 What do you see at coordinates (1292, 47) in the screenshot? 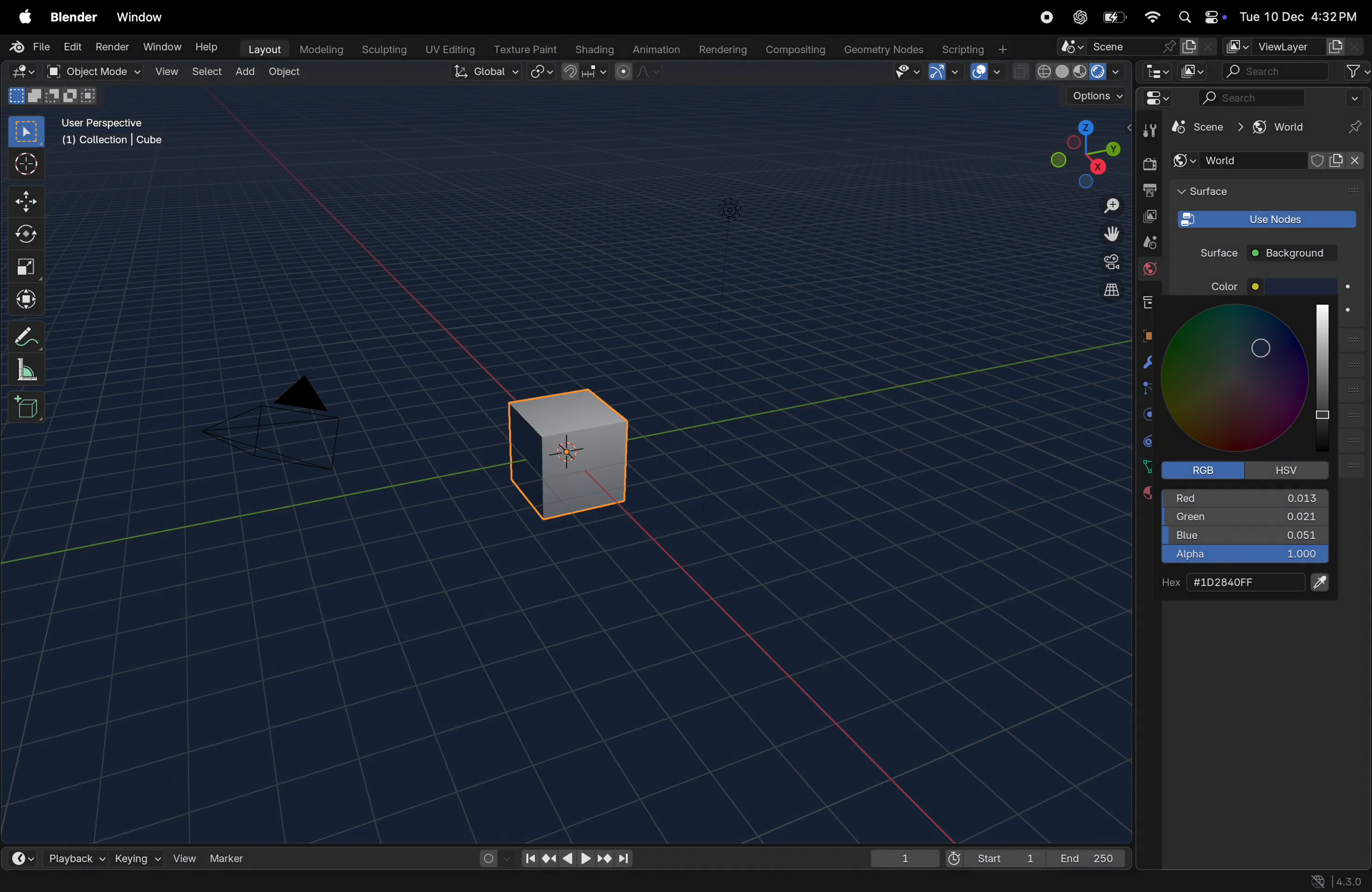
I see `View layer` at bounding box center [1292, 47].